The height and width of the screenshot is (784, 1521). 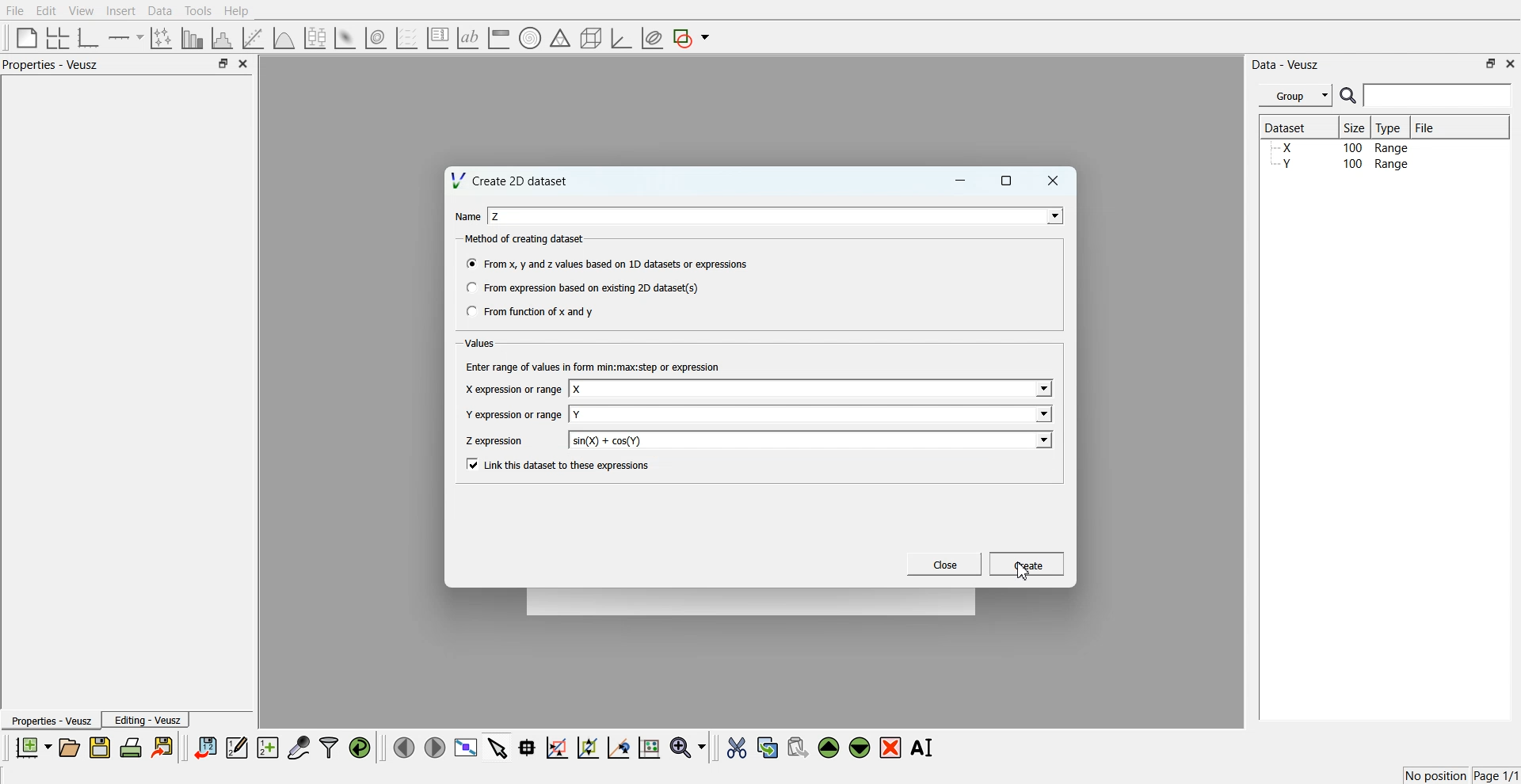 I want to click on Insert, so click(x=120, y=10).